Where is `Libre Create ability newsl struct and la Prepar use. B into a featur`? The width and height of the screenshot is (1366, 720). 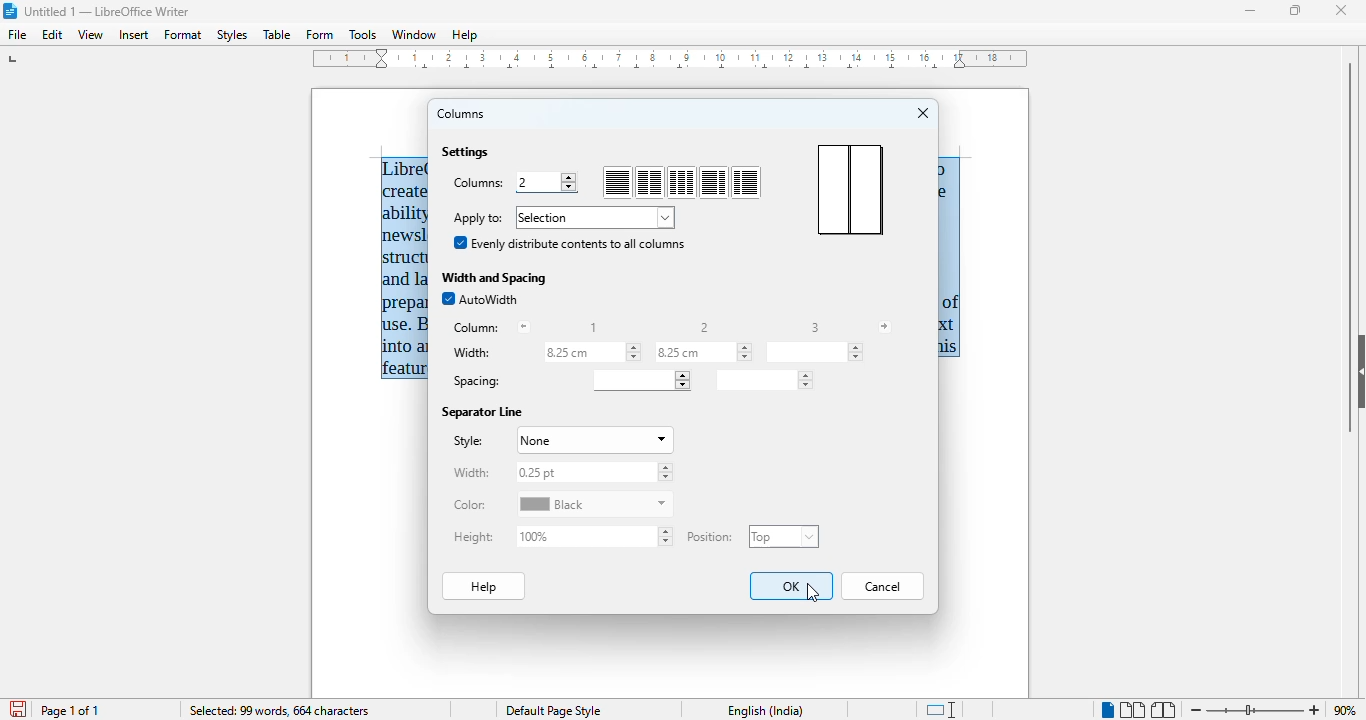
Libre Create ability newsl struct and la Prepar use. B into a featur is located at coordinates (405, 268).